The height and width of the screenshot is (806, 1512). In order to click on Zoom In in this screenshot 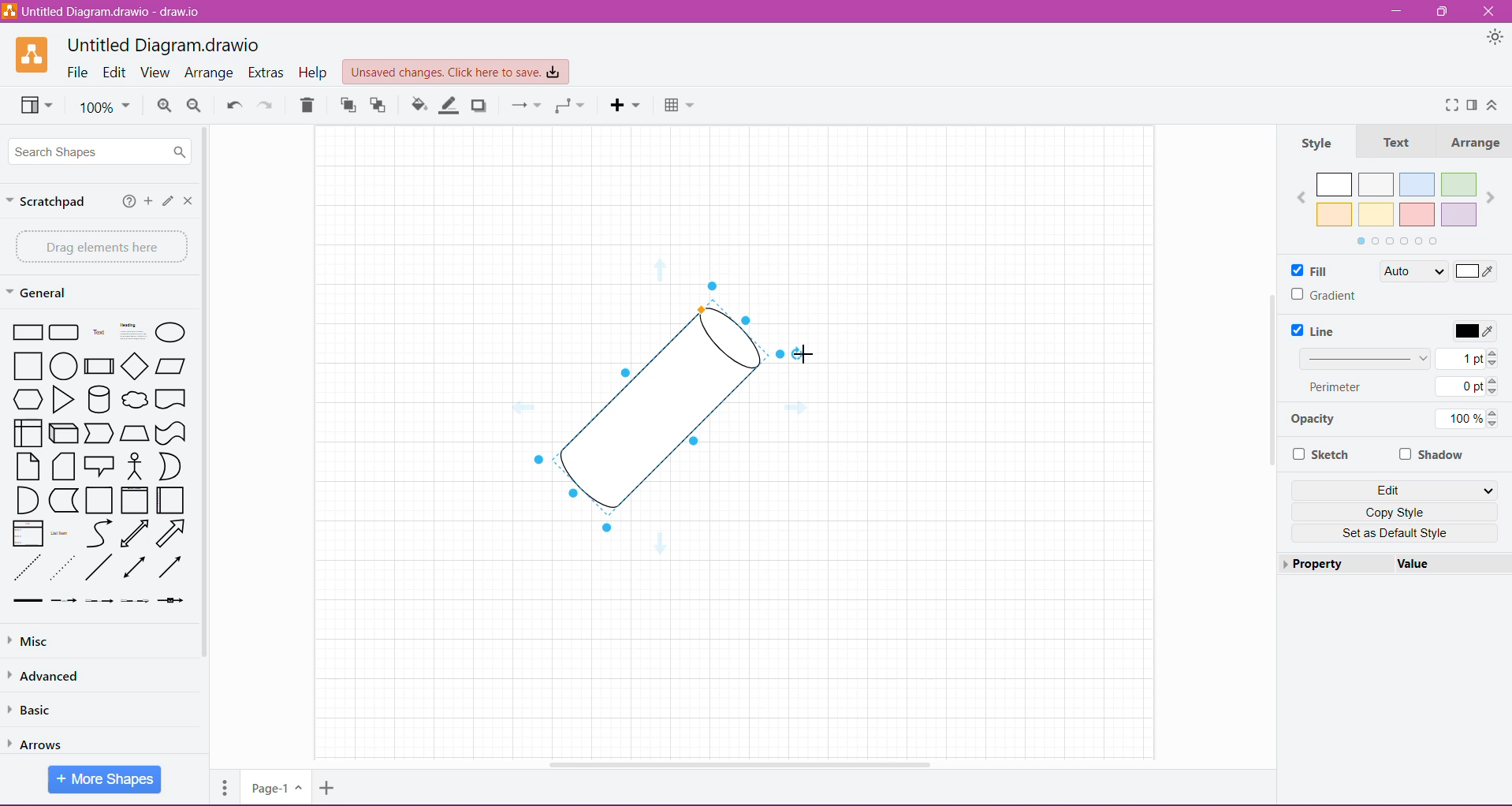, I will do `click(164, 106)`.